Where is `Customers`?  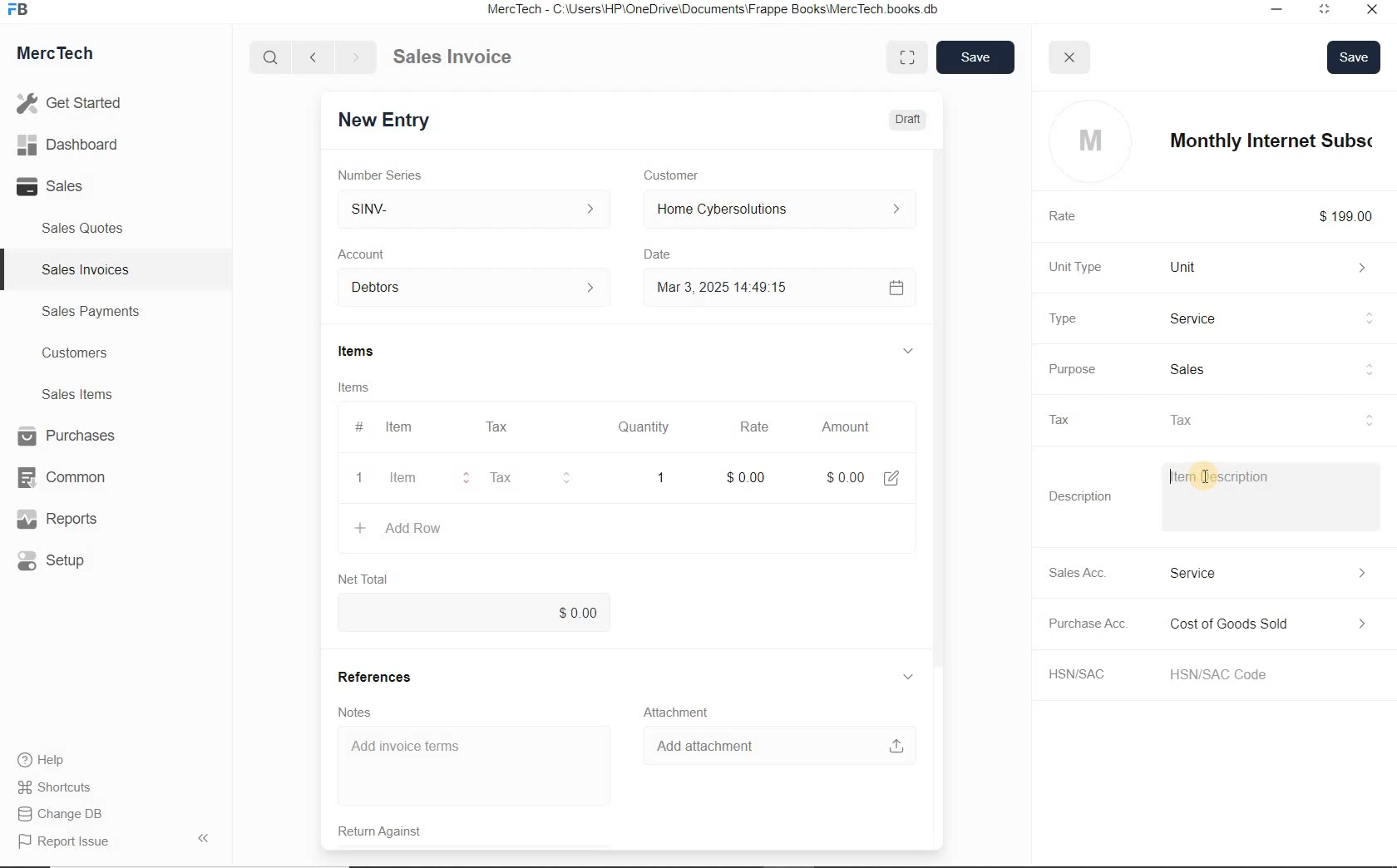
Customers is located at coordinates (90, 353).